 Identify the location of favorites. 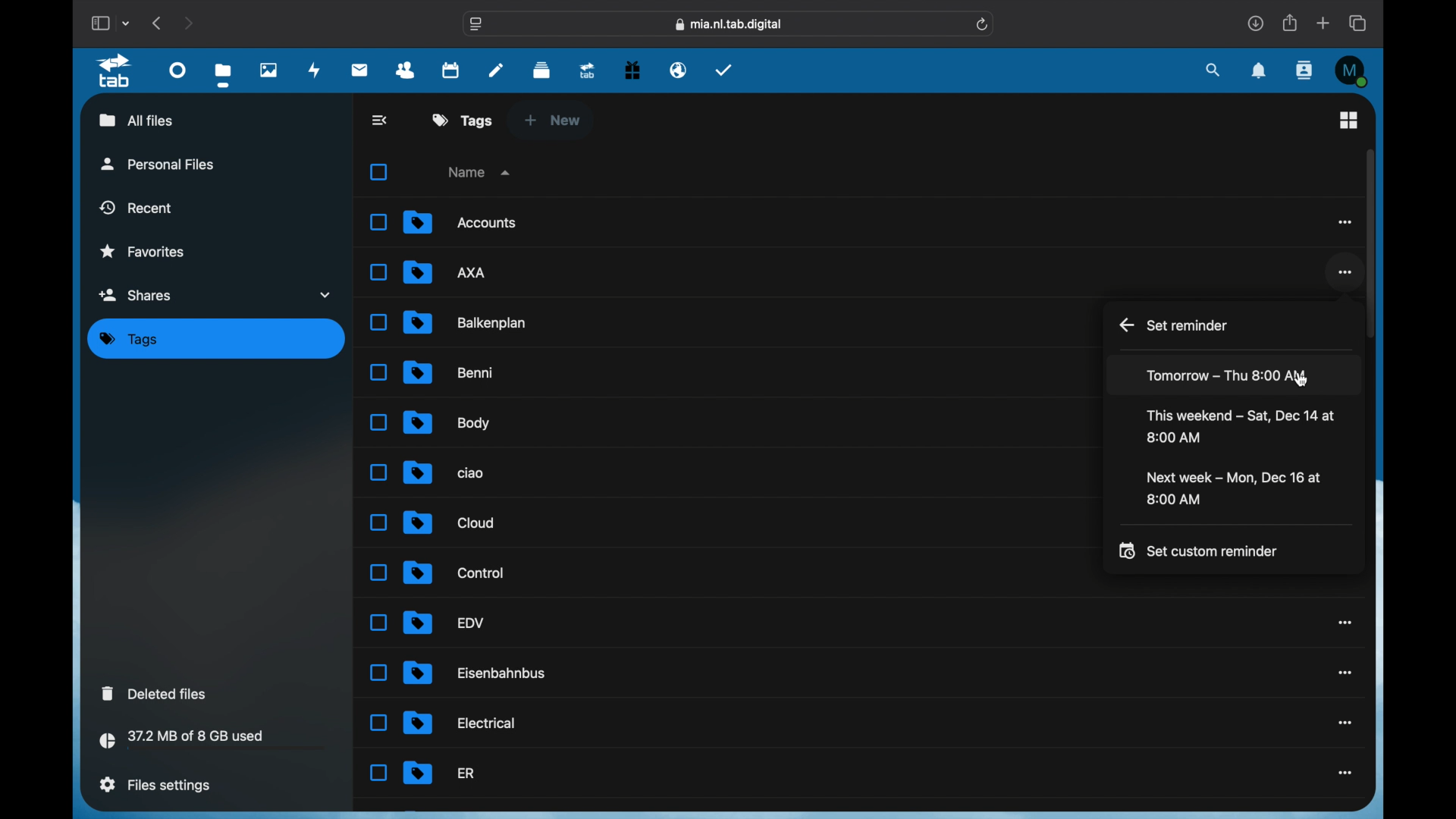
(142, 252).